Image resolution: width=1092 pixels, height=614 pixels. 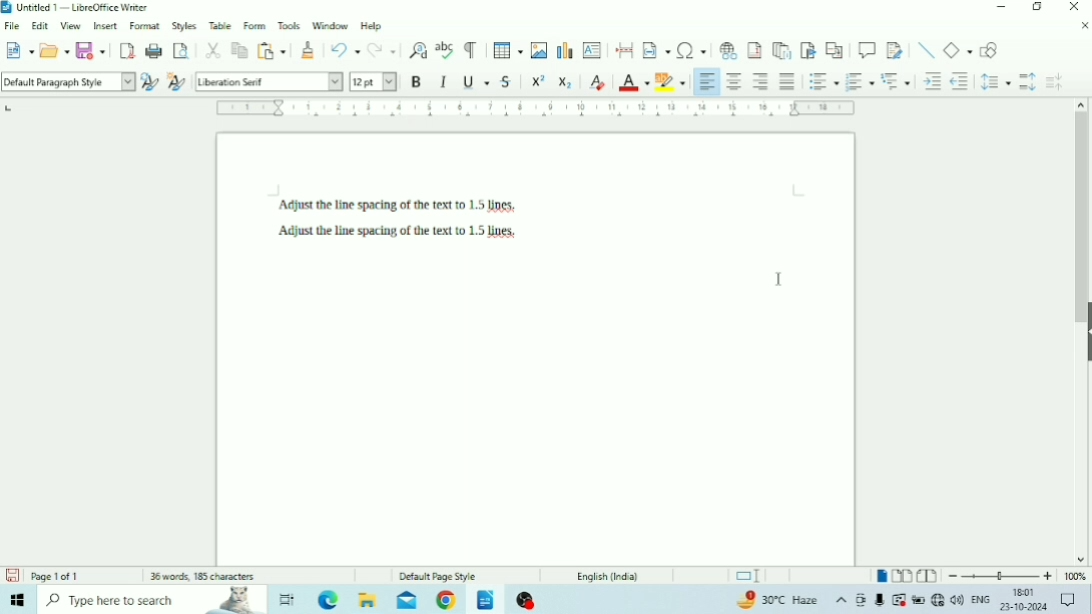 I want to click on Insert Chart, so click(x=565, y=49).